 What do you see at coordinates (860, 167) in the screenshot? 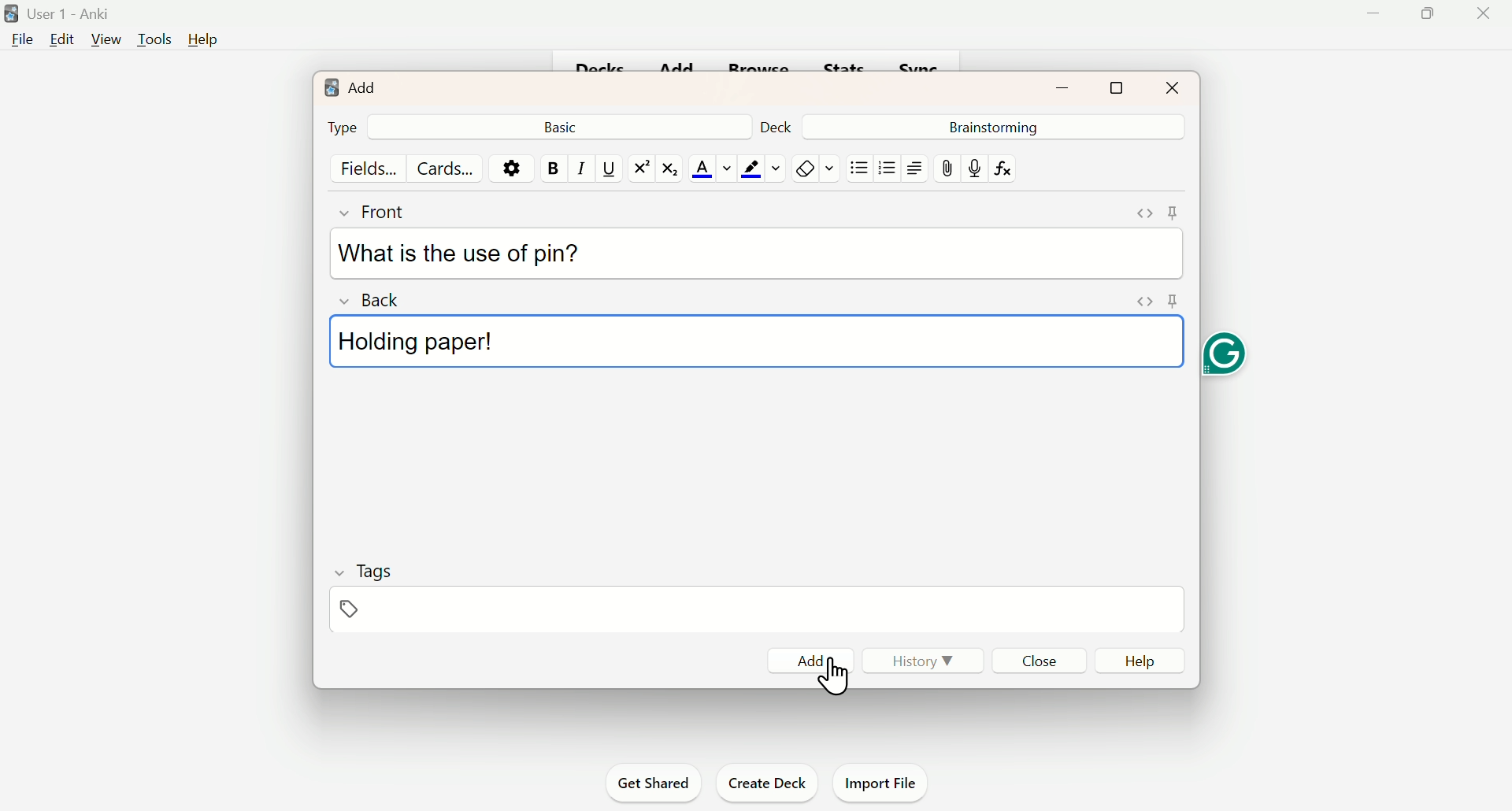
I see `Unorganised list` at bounding box center [860, 167].